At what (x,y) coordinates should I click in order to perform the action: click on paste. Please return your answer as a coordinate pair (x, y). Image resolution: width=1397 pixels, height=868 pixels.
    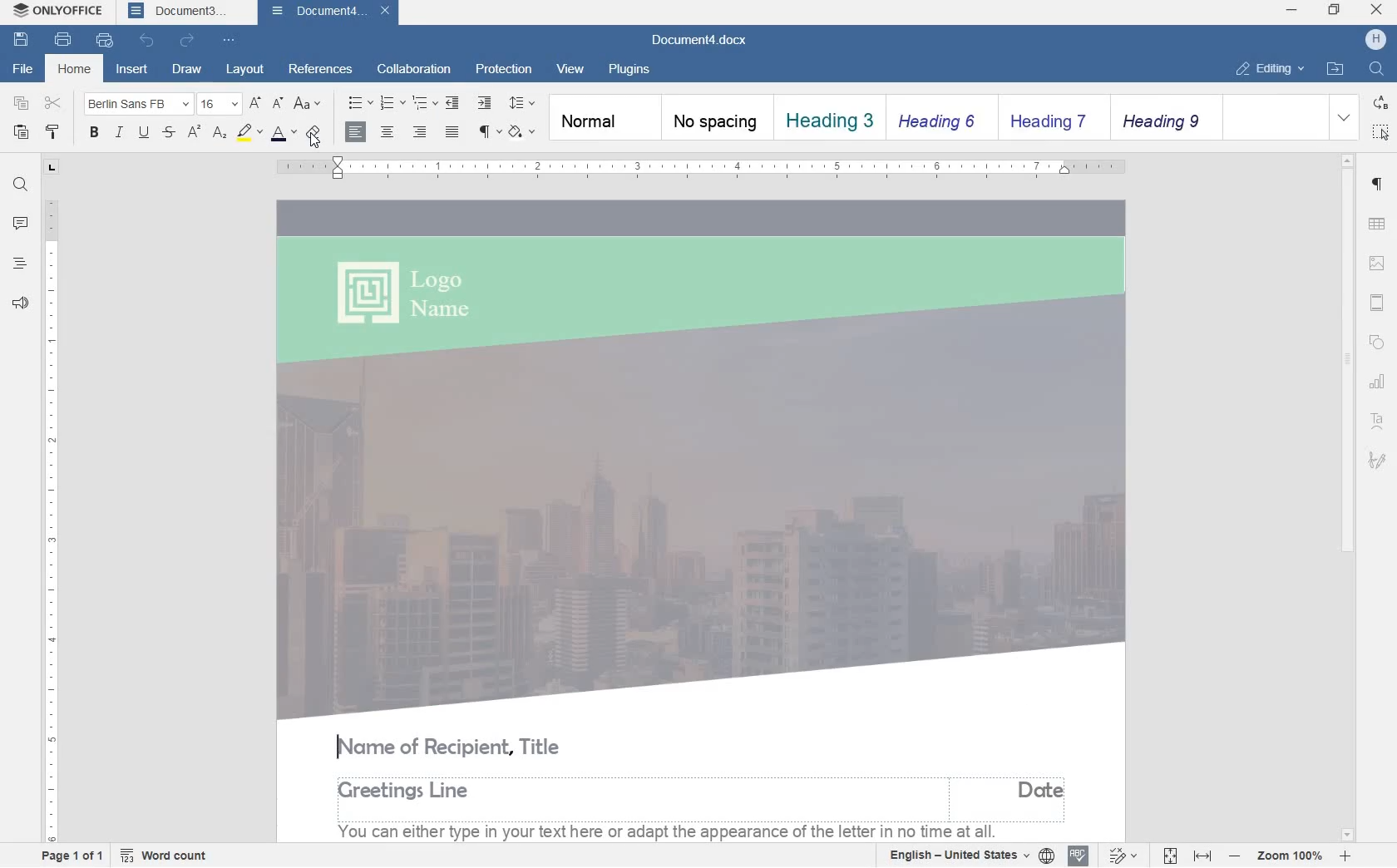
    Looking at the image, I should click on (22, 132).